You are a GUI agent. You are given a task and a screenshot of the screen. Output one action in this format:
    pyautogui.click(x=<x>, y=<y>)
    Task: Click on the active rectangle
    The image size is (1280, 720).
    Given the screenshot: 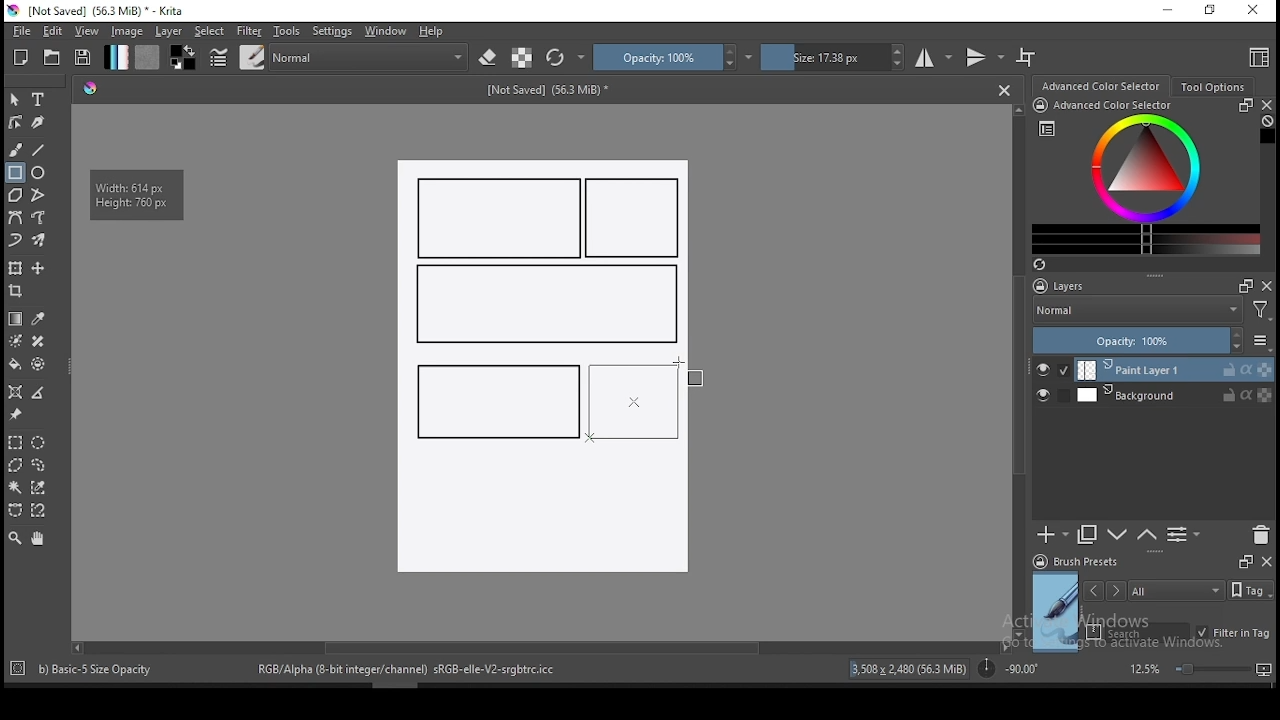 What is the action you would take?
    pyautogui.click(x=632, y=403)
    